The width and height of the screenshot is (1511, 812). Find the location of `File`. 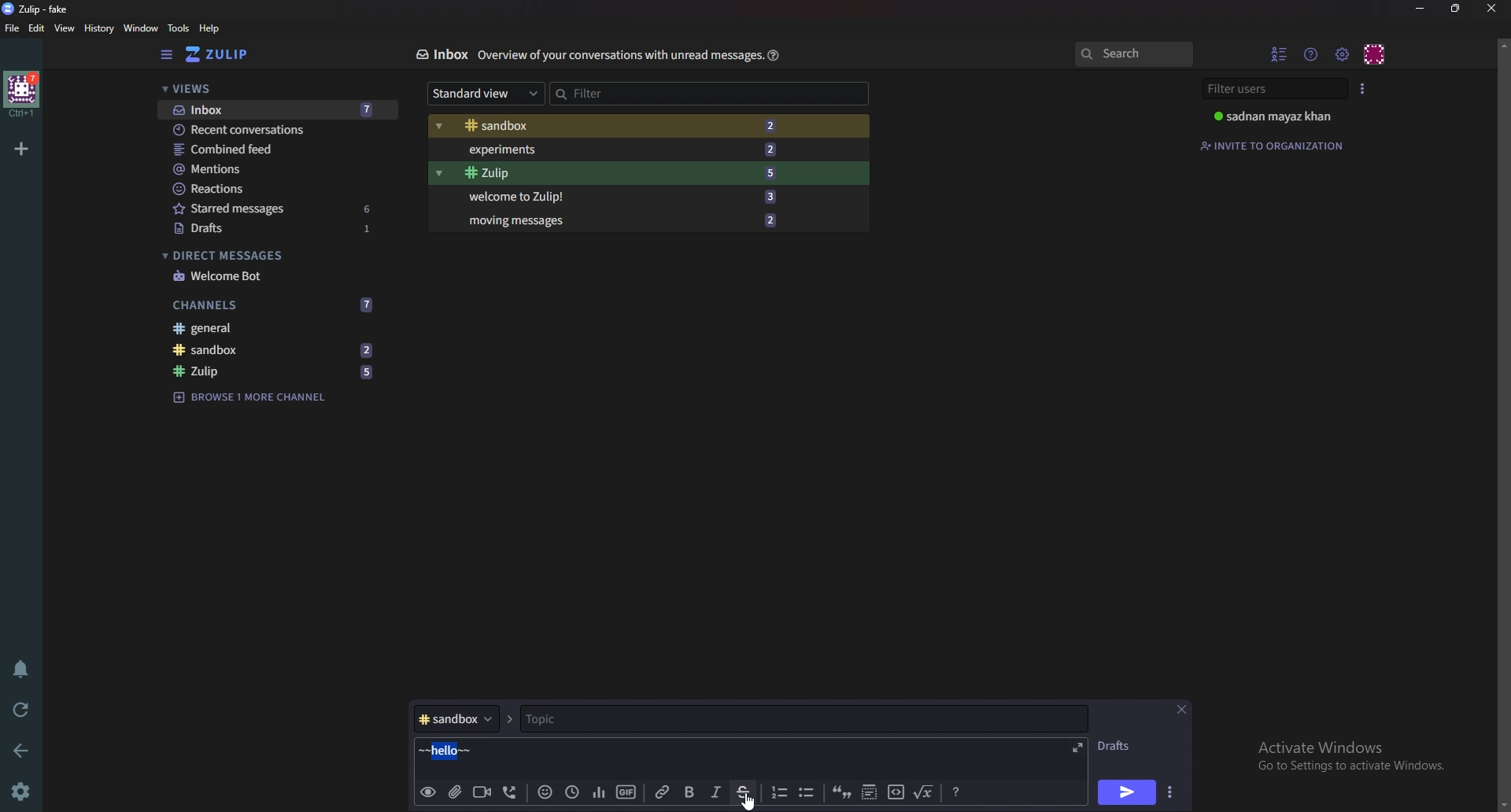

File is located at coordinates (13, 28).